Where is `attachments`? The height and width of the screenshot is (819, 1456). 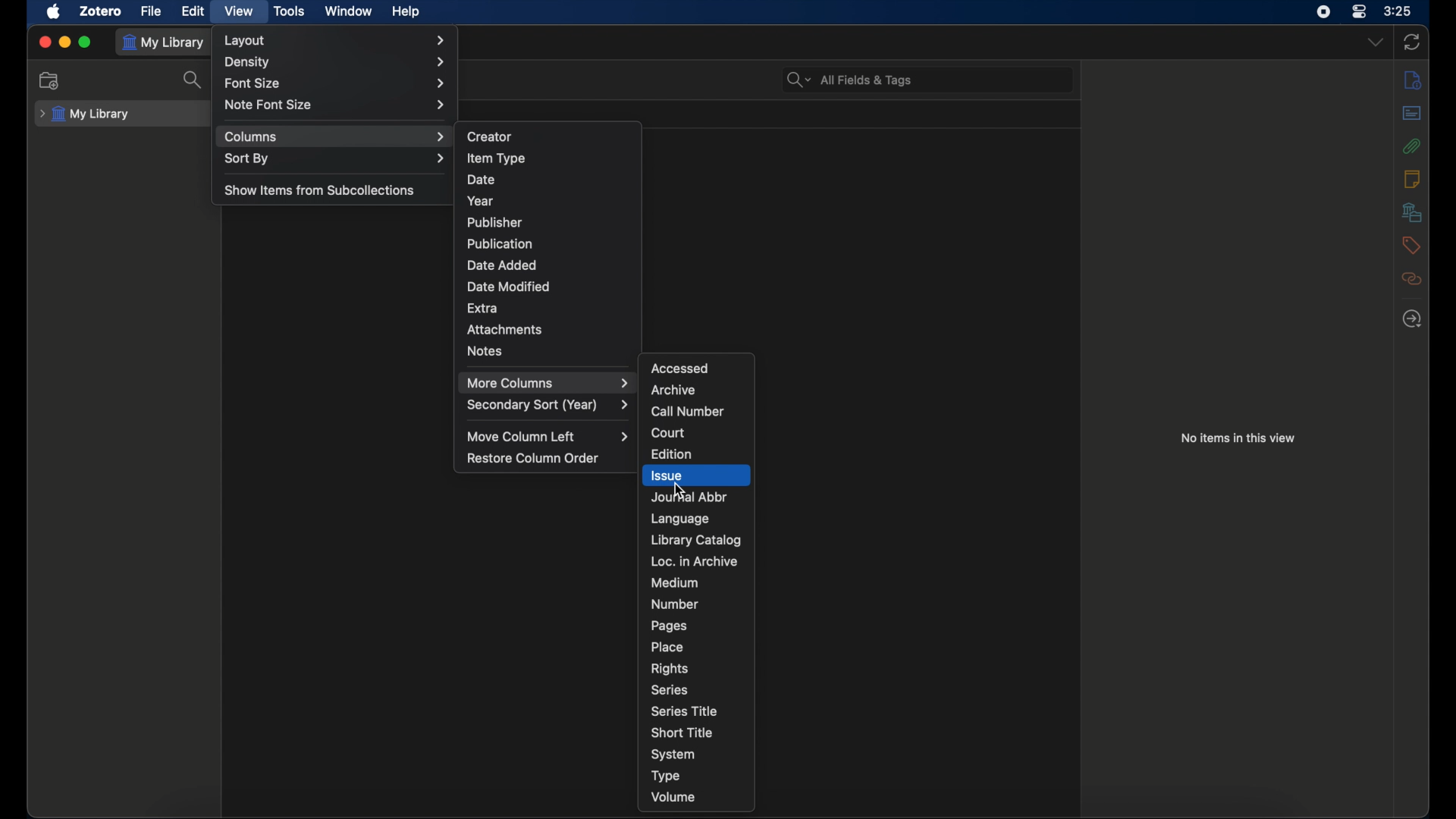 attachments is located at coordinates (1410, 146).